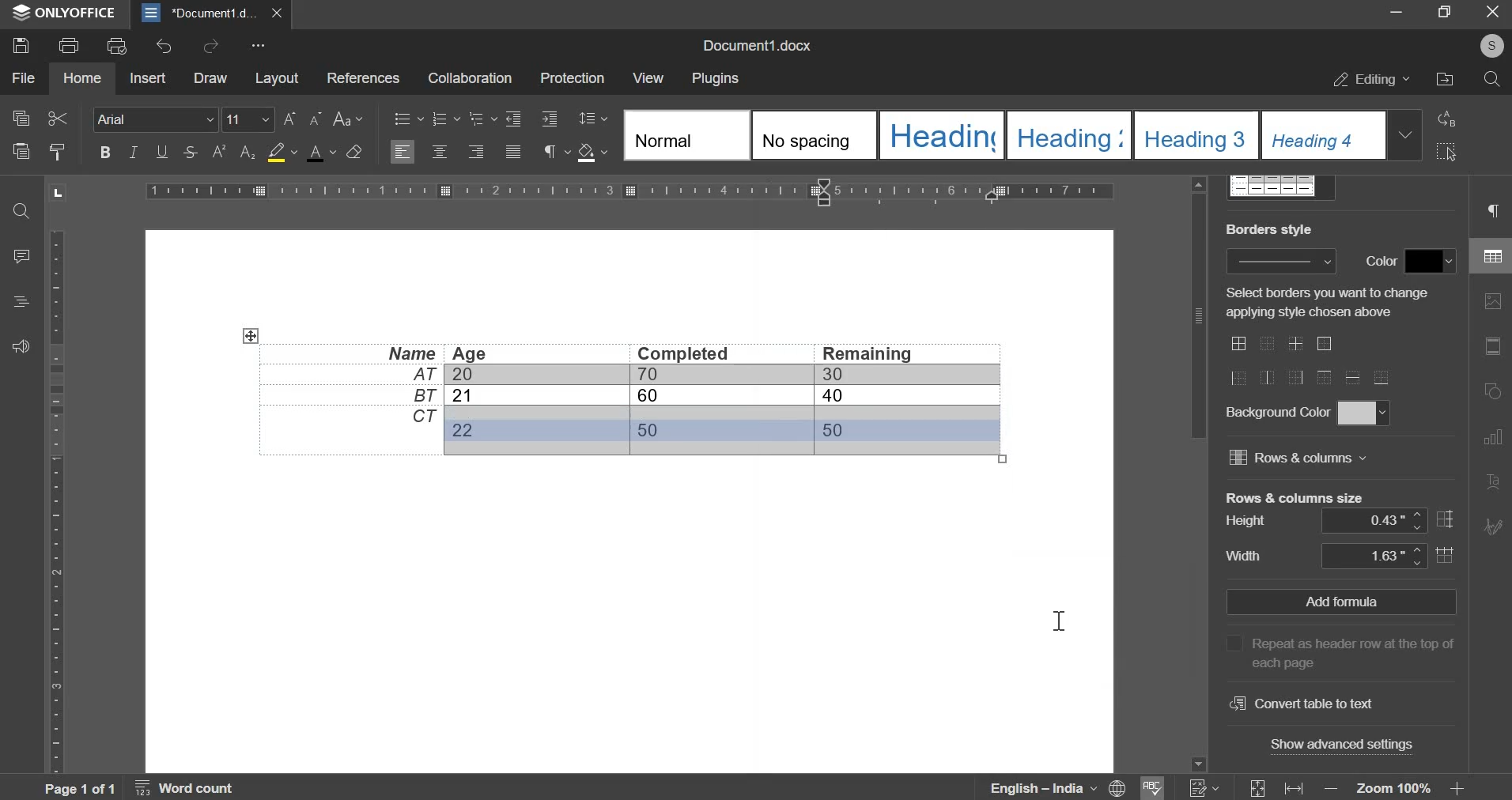 Image resolution: width=1512 pixels, height=800 pixels. I want to click on cut, so click(57, 116).